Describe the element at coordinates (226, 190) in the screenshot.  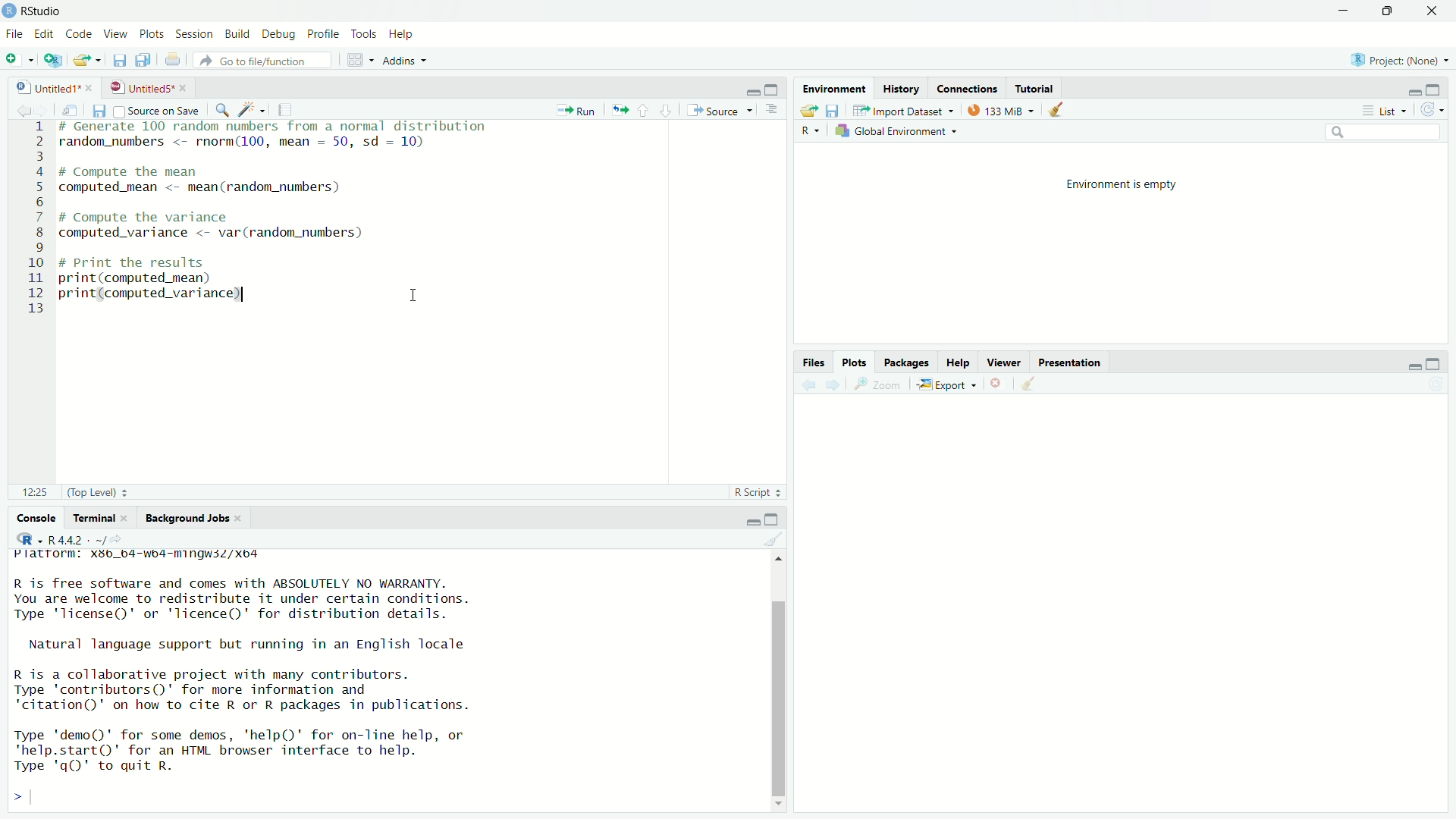
I see `computed_mean <- mean(random_numbers)` at that location.